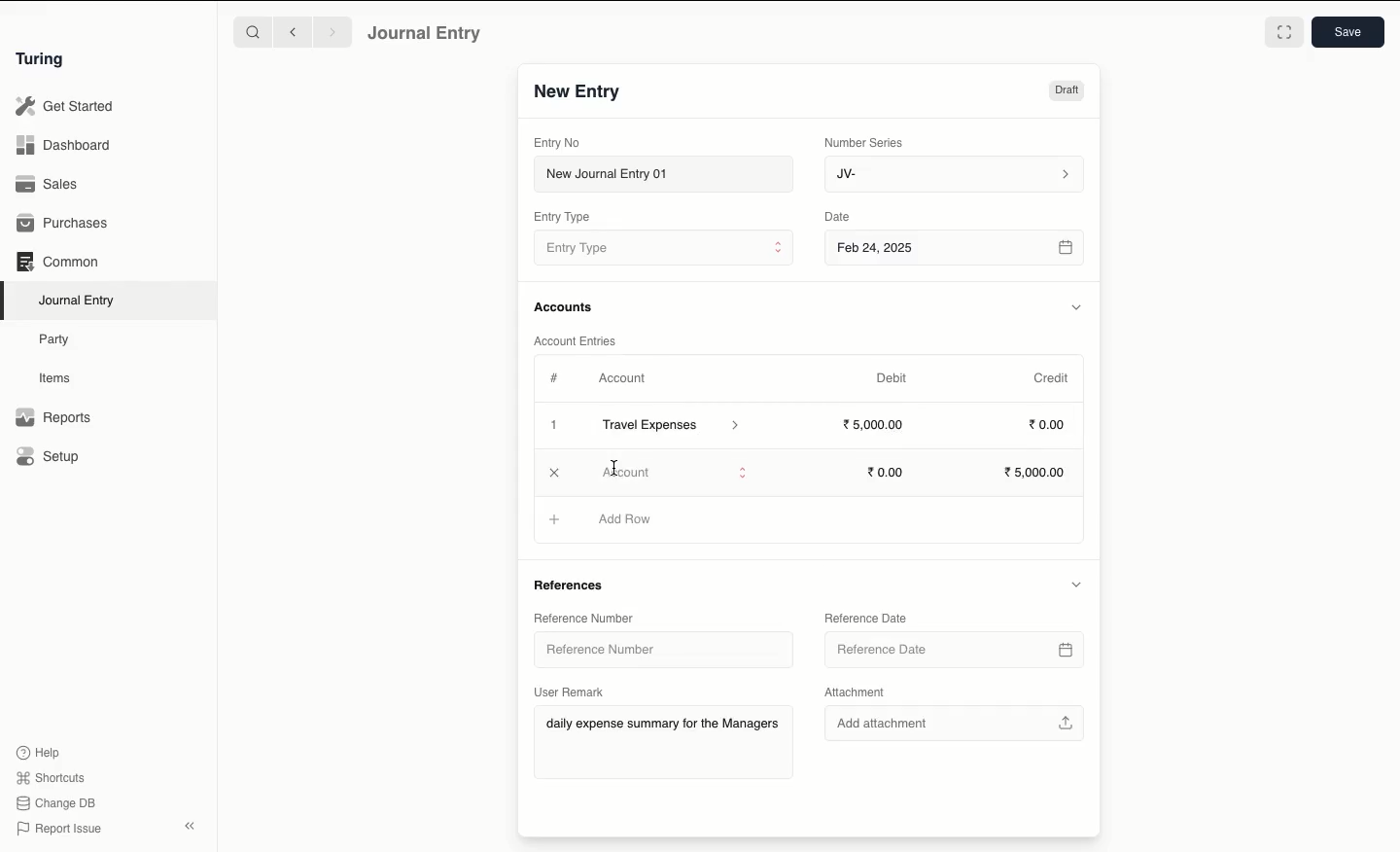  Describe the element at coordinates (63, 225) in the screenshot. I see `Purchases` at that location.